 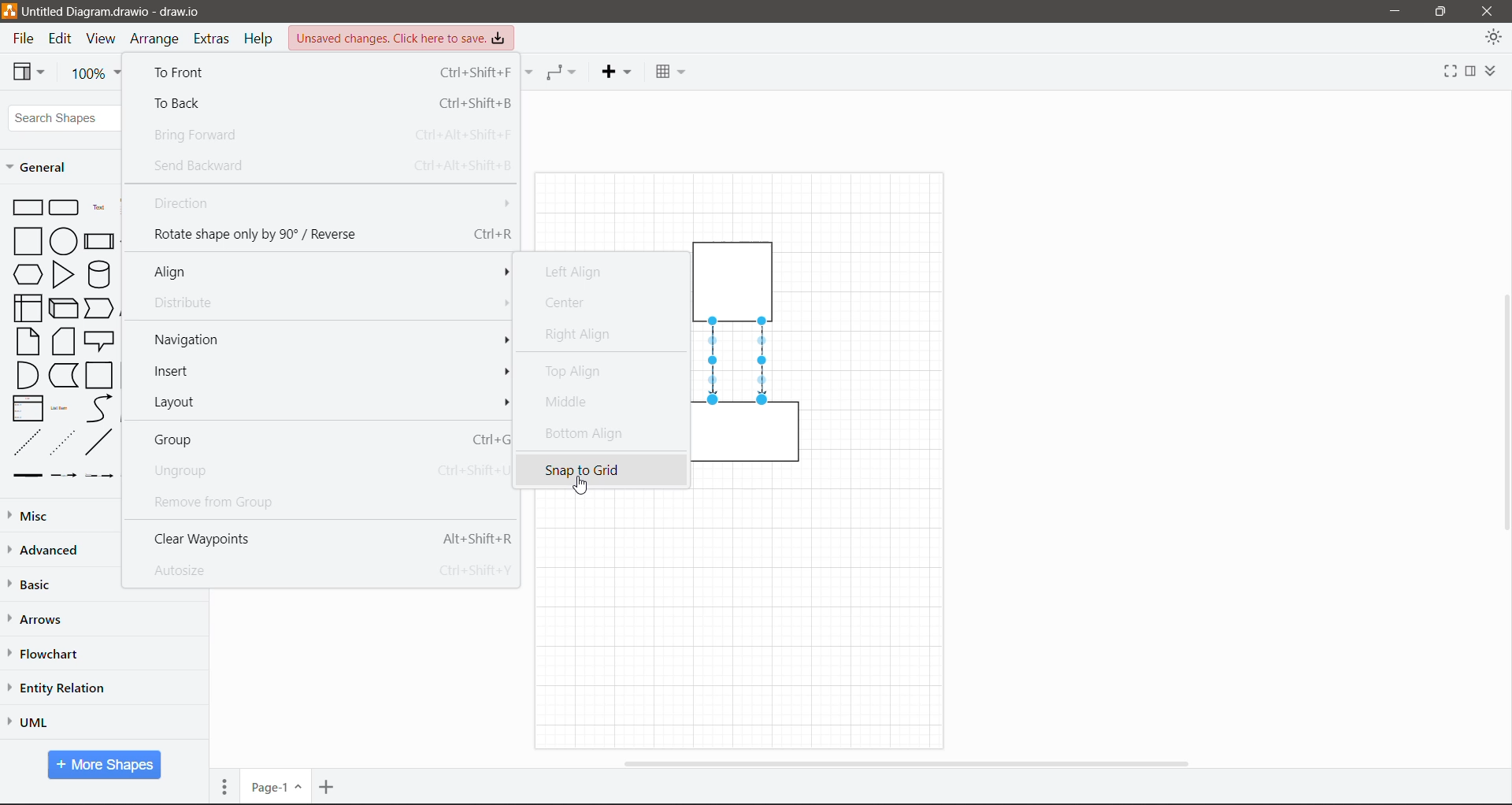 What do you see at coordinates (105, 765) in the screenshot?
I see `More Shapes` at bounding box center [105, 765].